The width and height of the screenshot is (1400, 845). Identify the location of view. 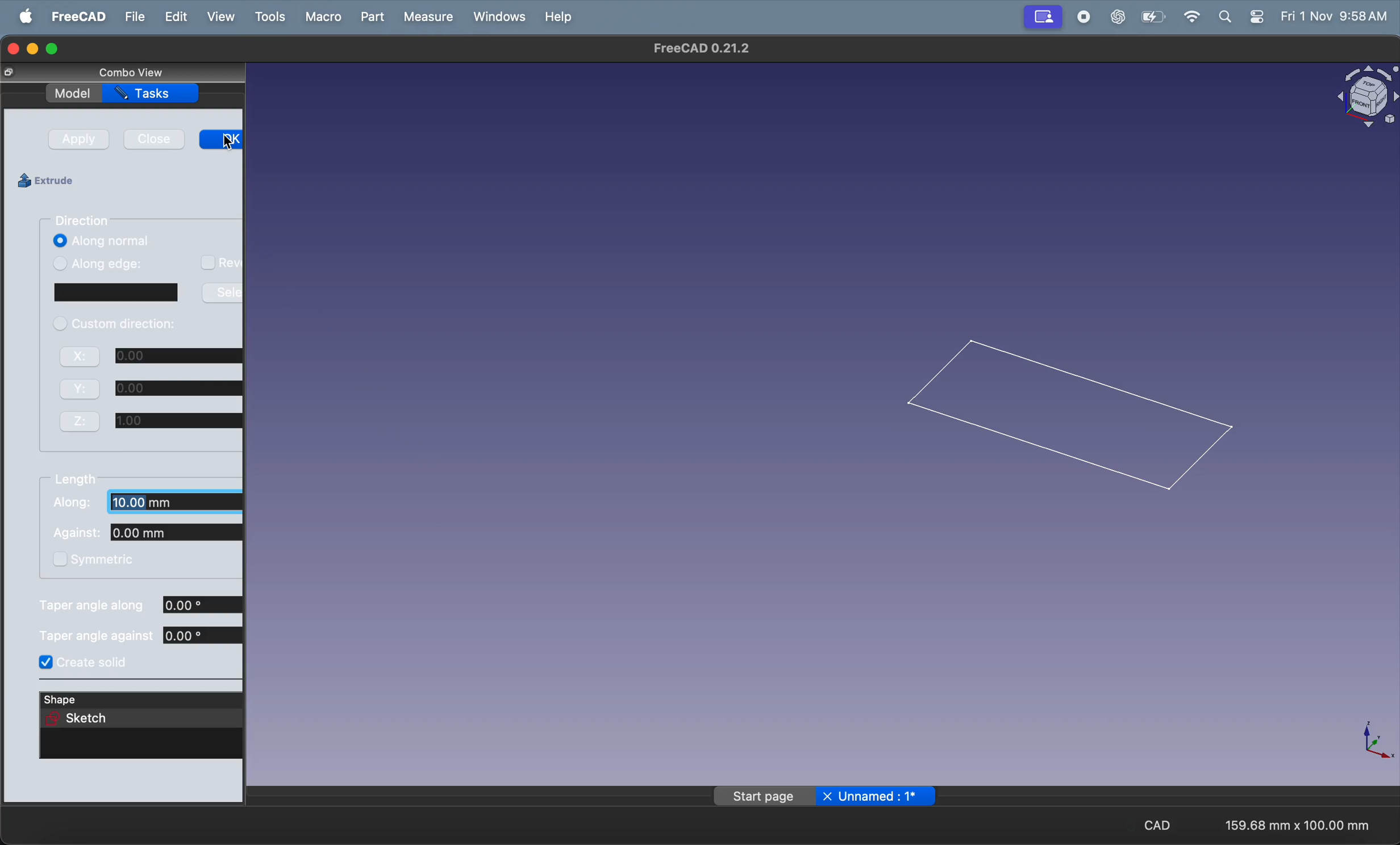
(217, 17).